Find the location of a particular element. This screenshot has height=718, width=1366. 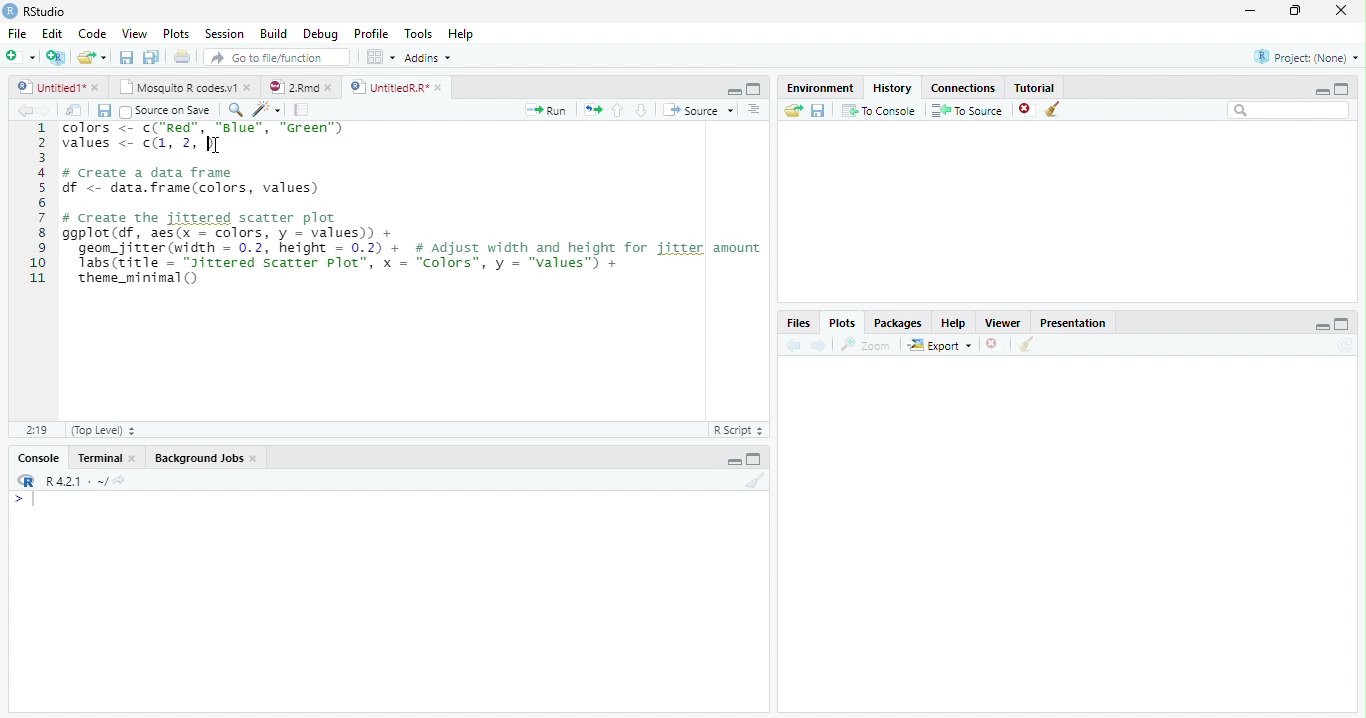

Show in new window is located at coordinates (73, 111).